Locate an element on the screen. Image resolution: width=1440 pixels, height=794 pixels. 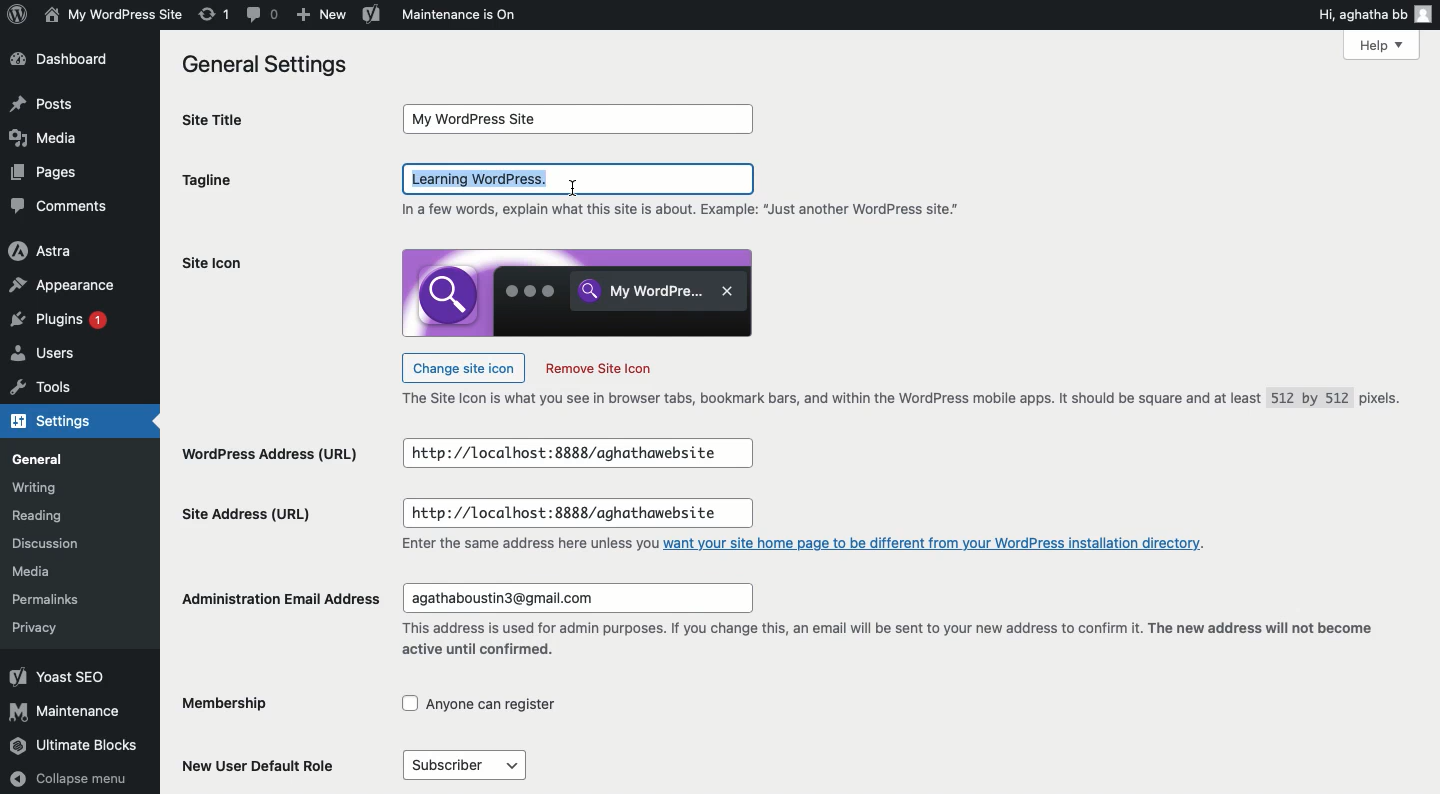
tagline is located at coordinates (207, 183).